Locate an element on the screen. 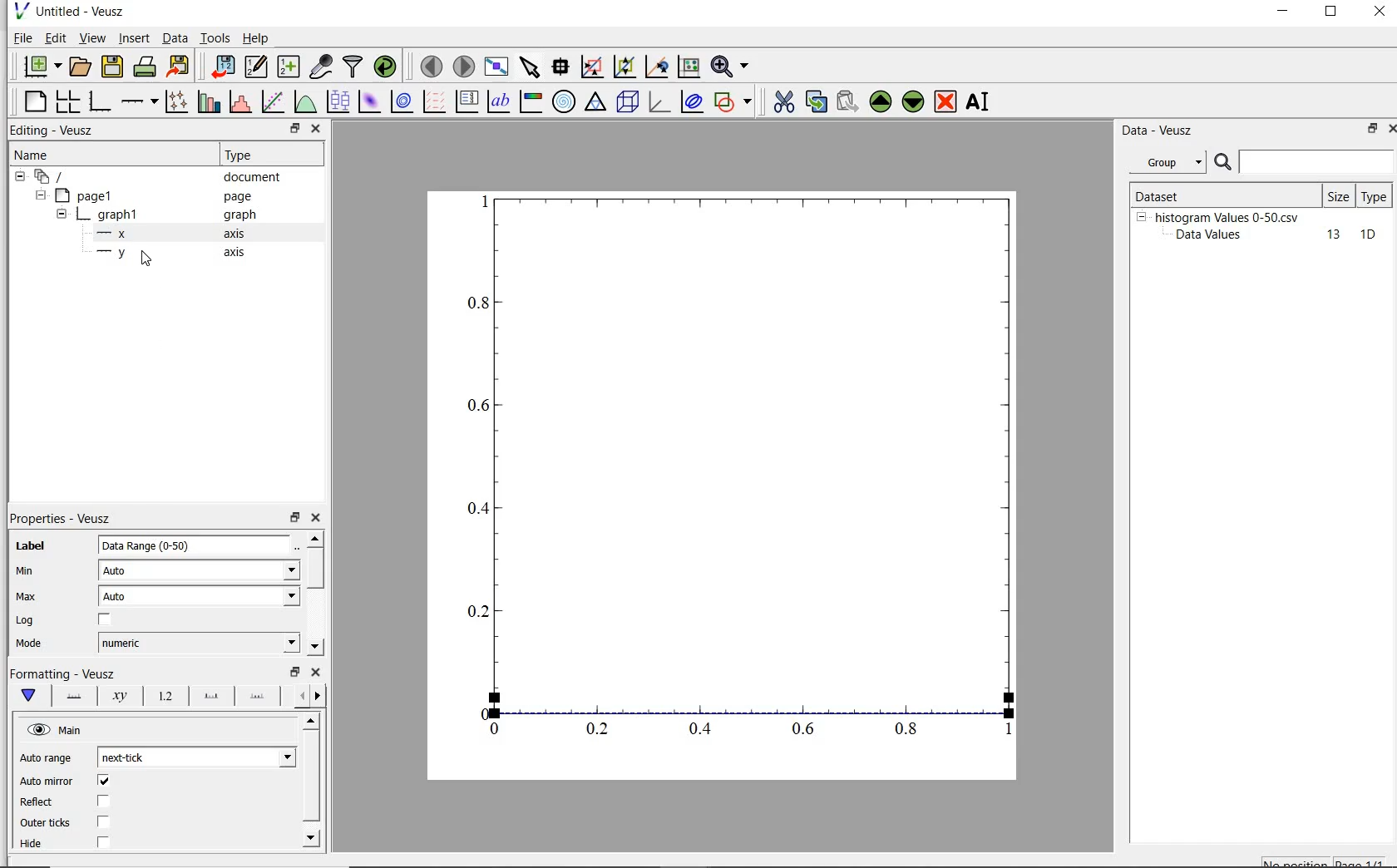 The image size is (1397, 868). paste the selected widget is located at coordinates (847, 103).